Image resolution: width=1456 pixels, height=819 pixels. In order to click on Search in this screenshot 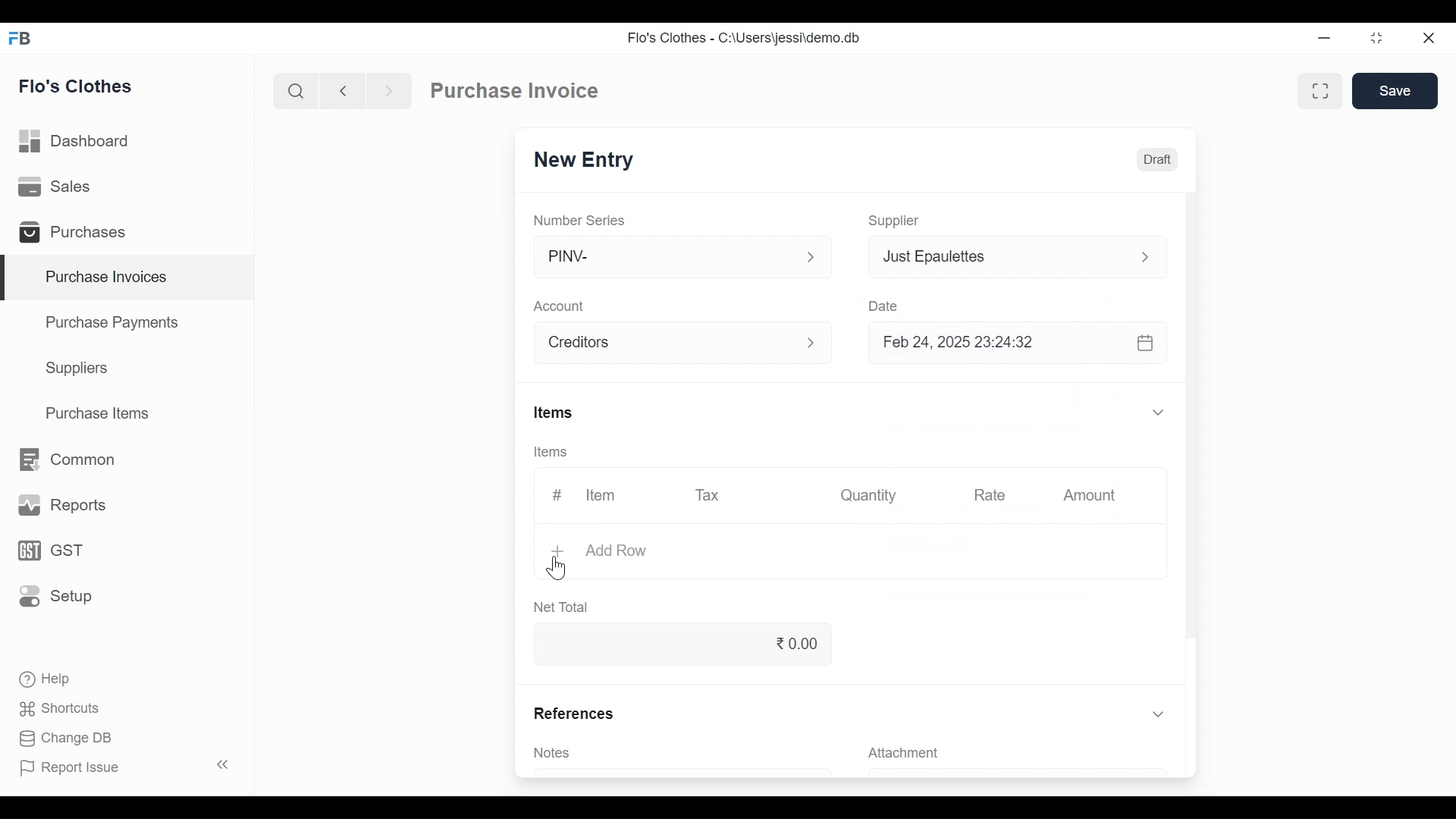, I will do `click(297, 90)`.